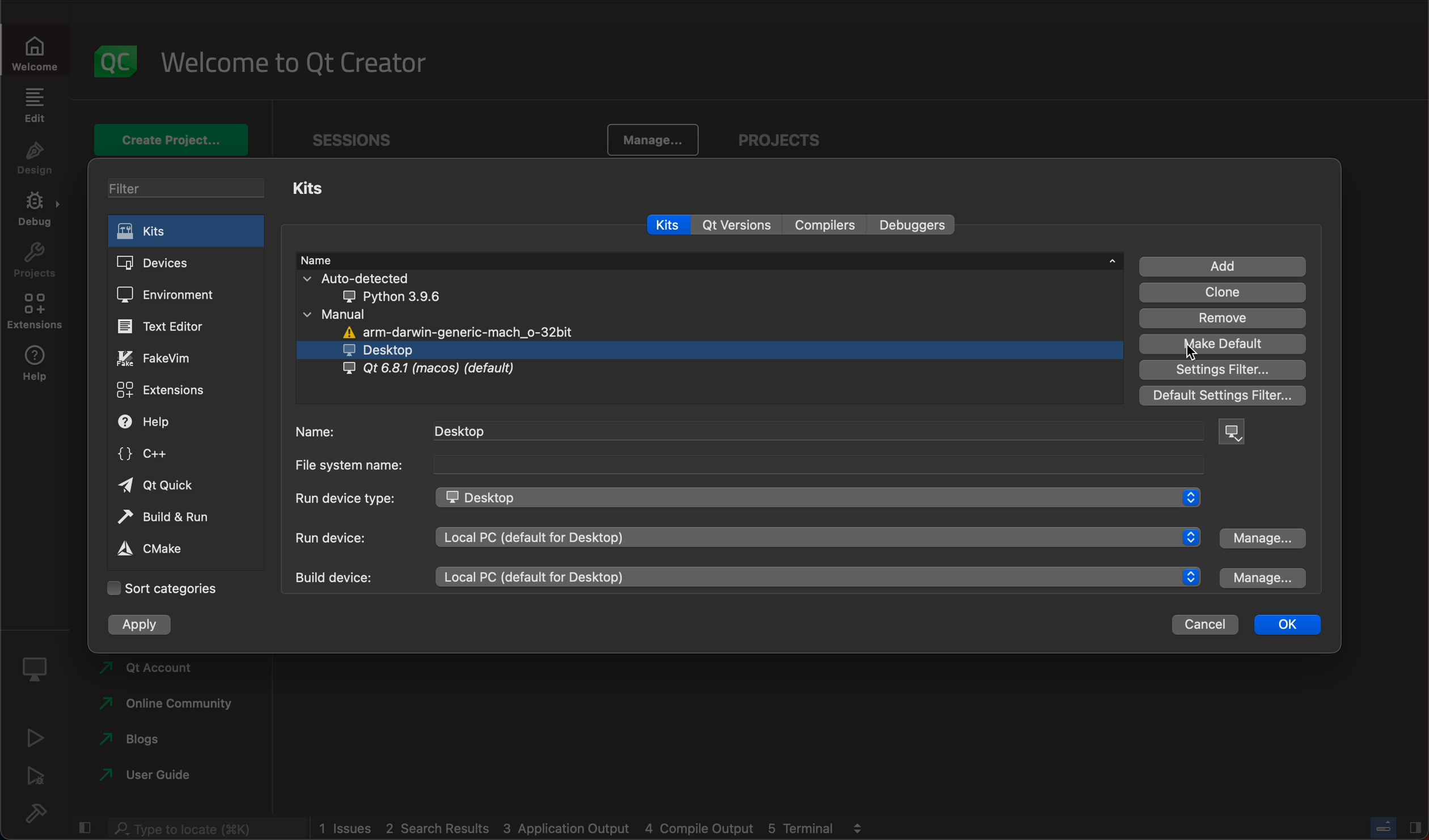 The height and width of the screenshot is (840, 1429). I want to click on name:, so click(324, 430).